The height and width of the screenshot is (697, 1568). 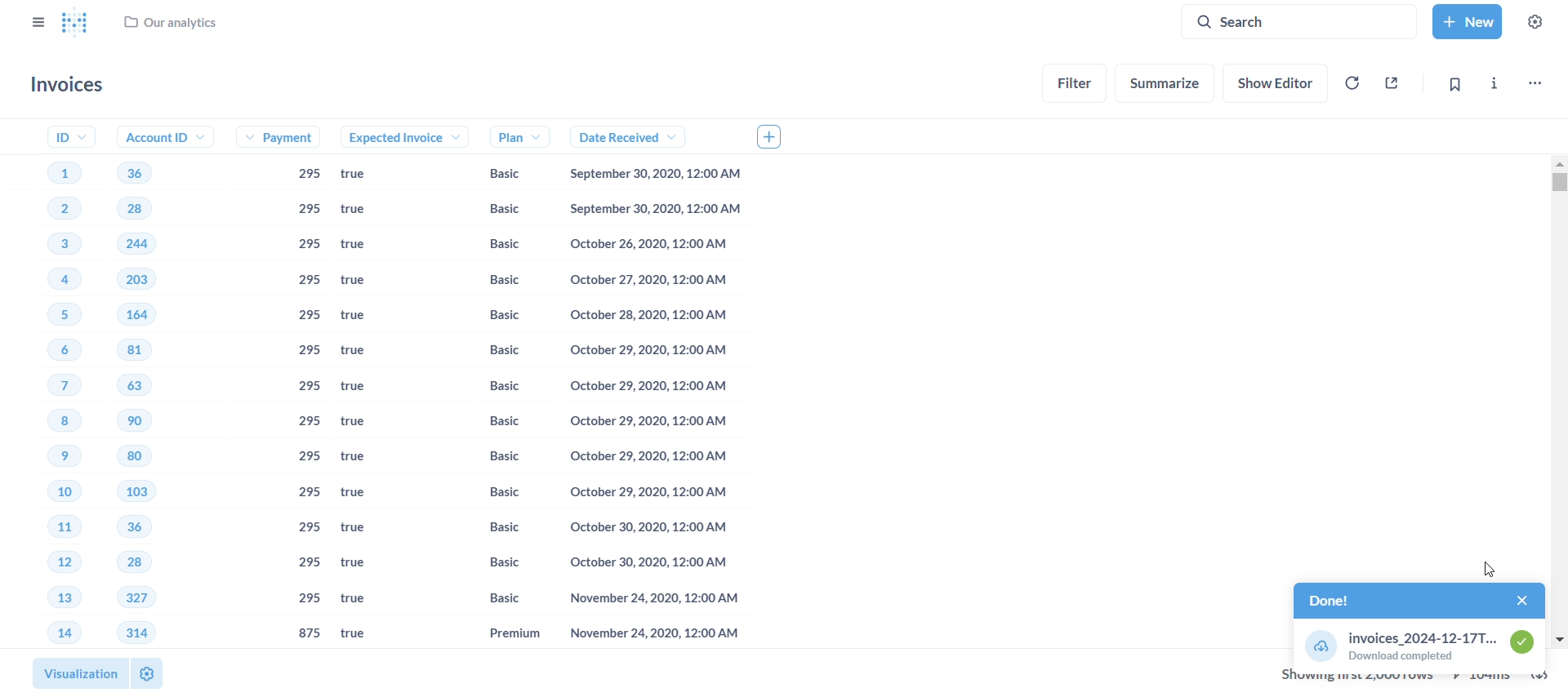 What do you see at coordinates (644, 491) in the screenshot?
I see `October 29,2020, 12:00 AM` at bounding box center [644, 491].